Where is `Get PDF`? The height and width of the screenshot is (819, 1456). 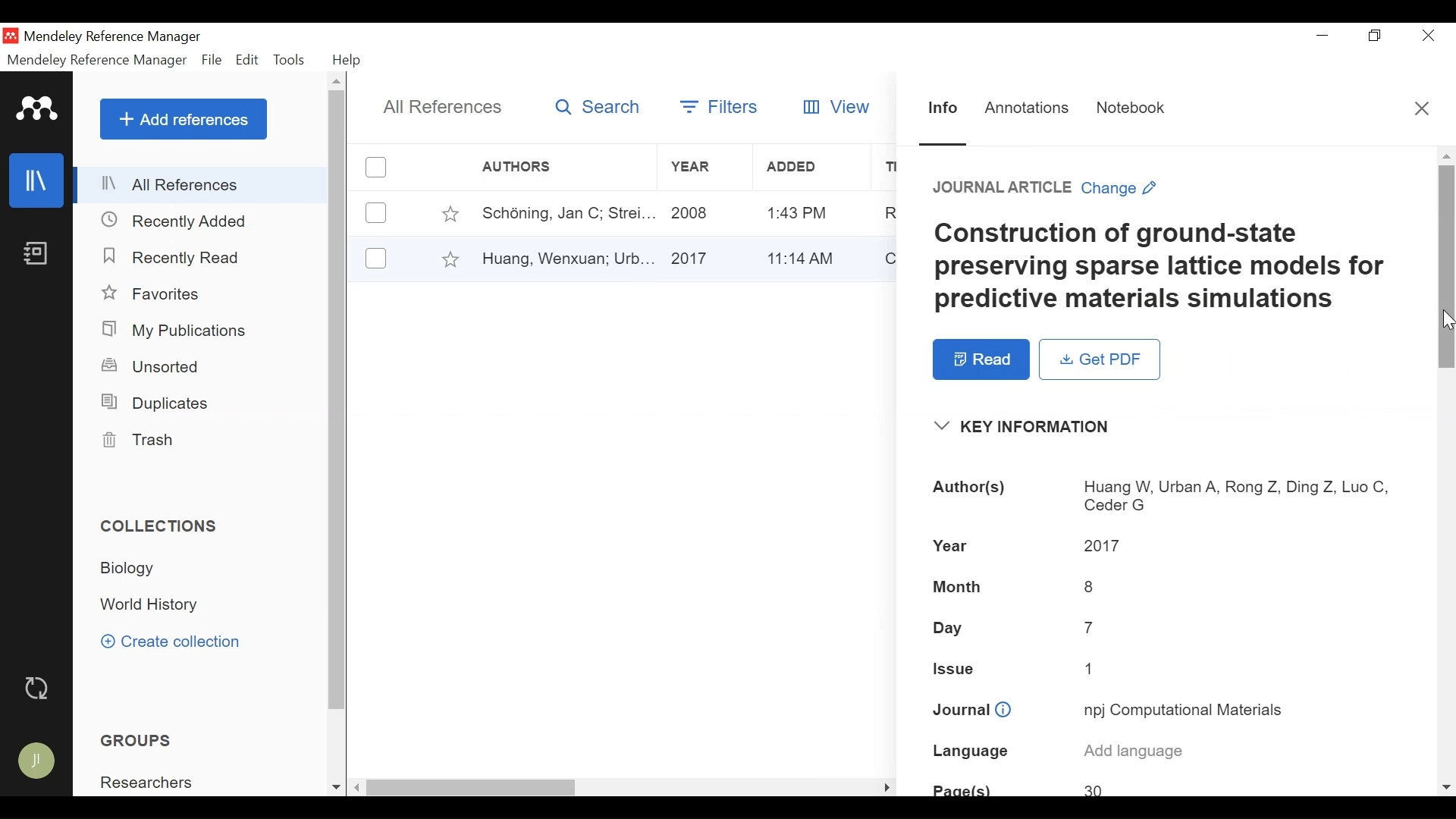 Get PDF is located at coordinates (1100, 359).